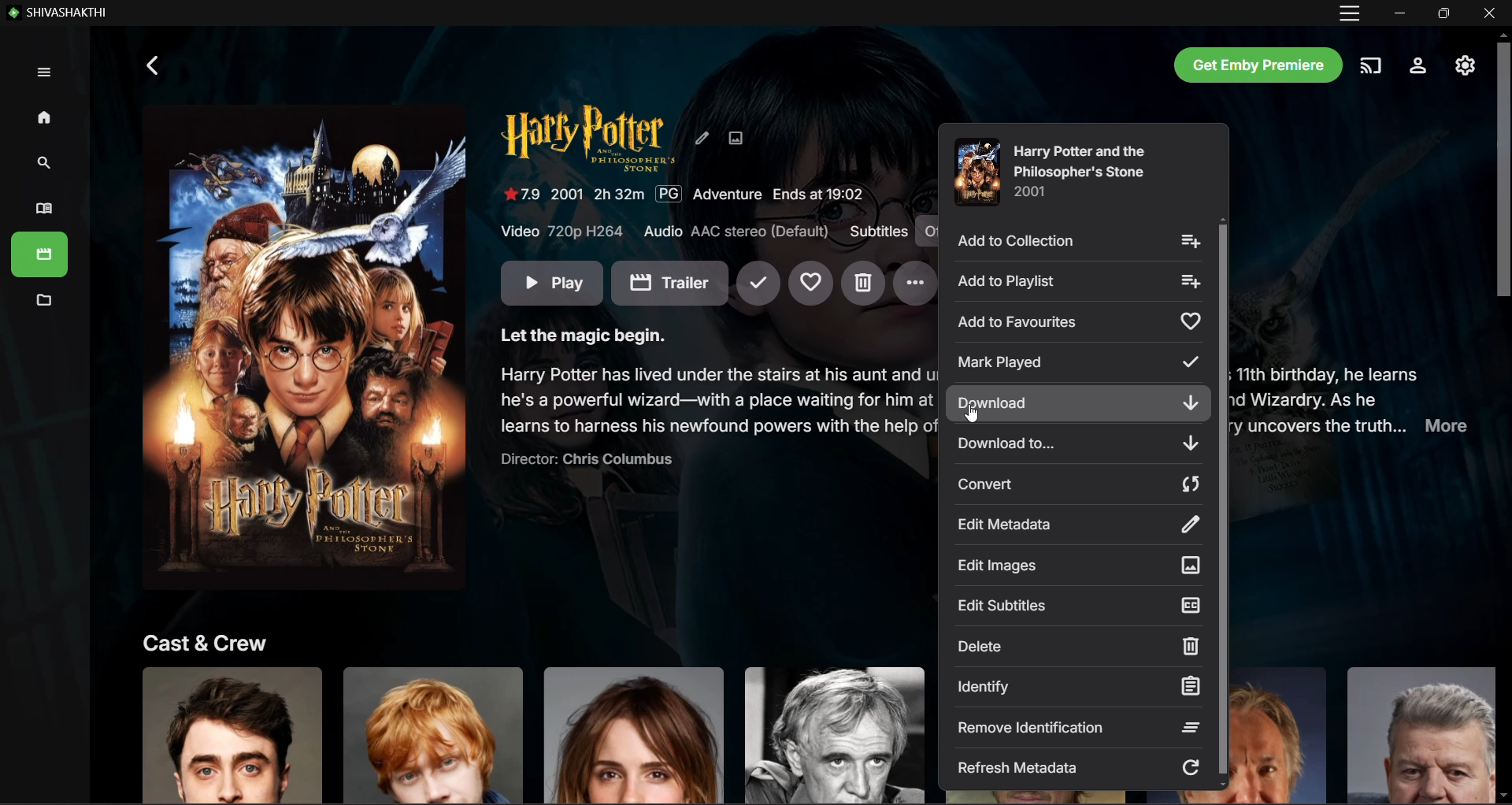 The image size is (1512, 805). What do you see at coordinates (669, 283) in the screenshot?
I see `Trailer` at bounding box center [669, 283].